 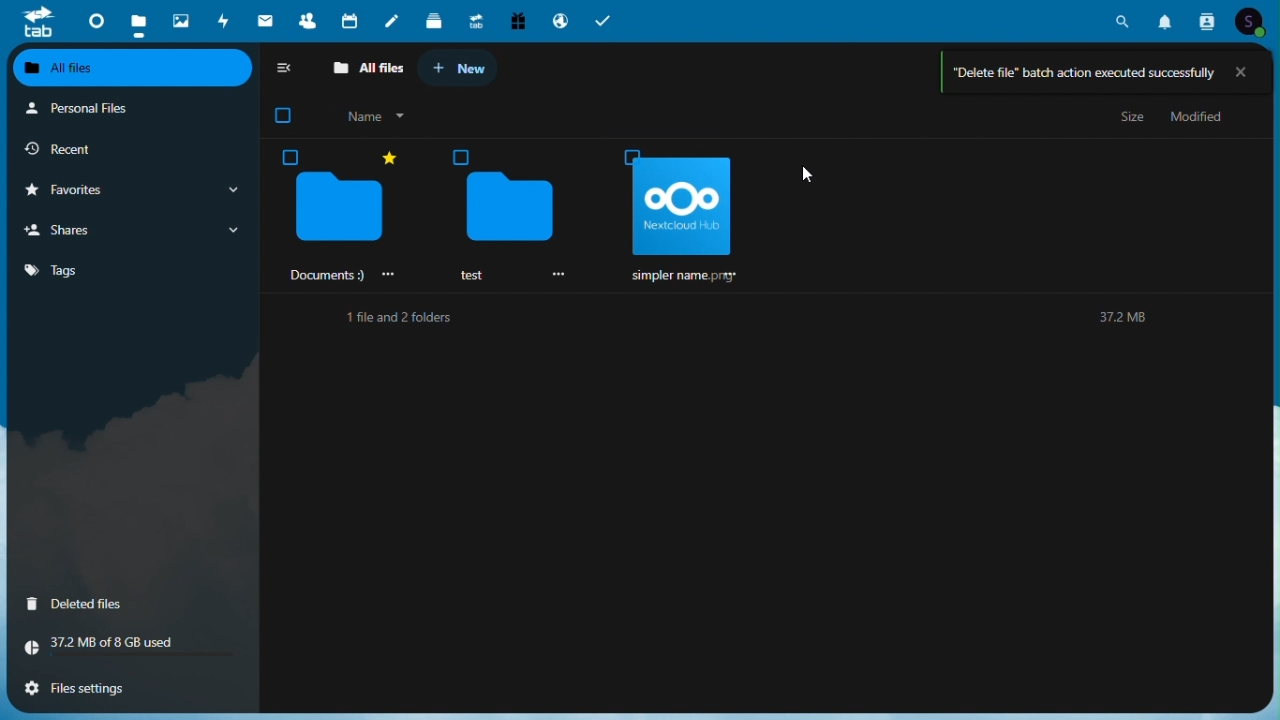 What do you see at coordinates (1115, 319) in the screenshot?
I see `Text` at bounding box center [1115, 319].